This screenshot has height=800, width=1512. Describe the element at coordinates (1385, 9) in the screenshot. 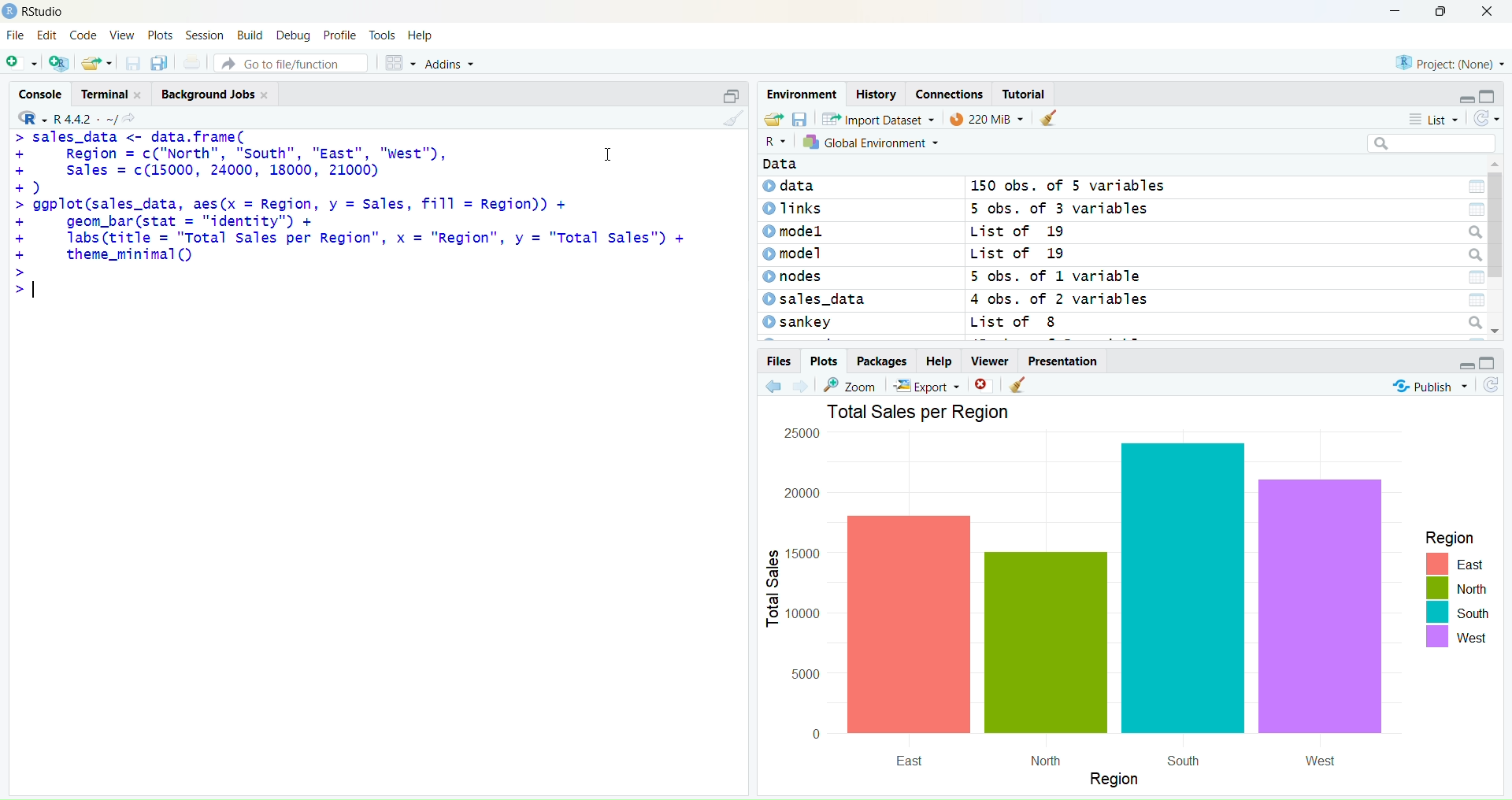

I see `minimise` at that location.